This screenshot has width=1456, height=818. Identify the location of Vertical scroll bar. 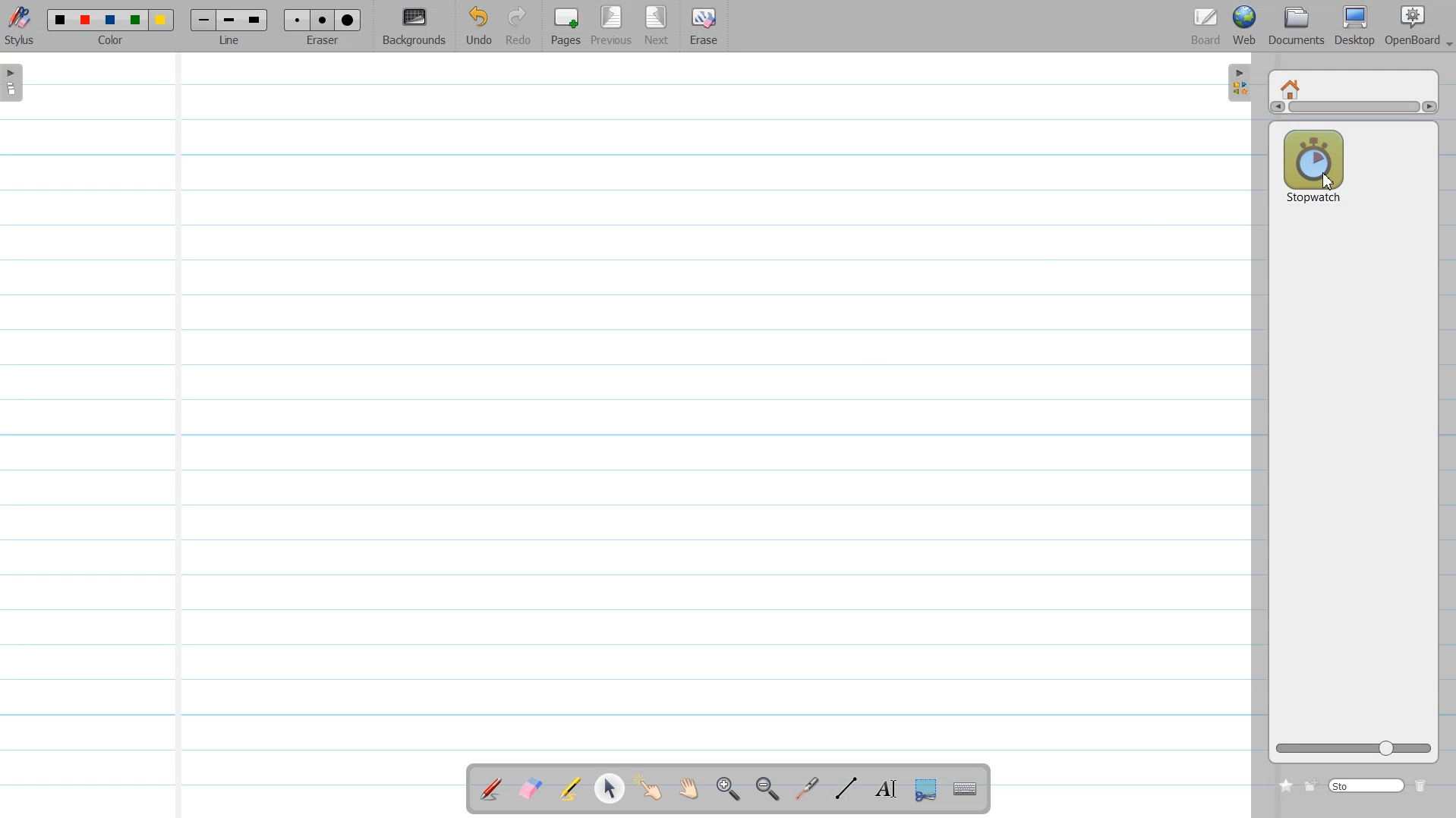
(1353, 109).